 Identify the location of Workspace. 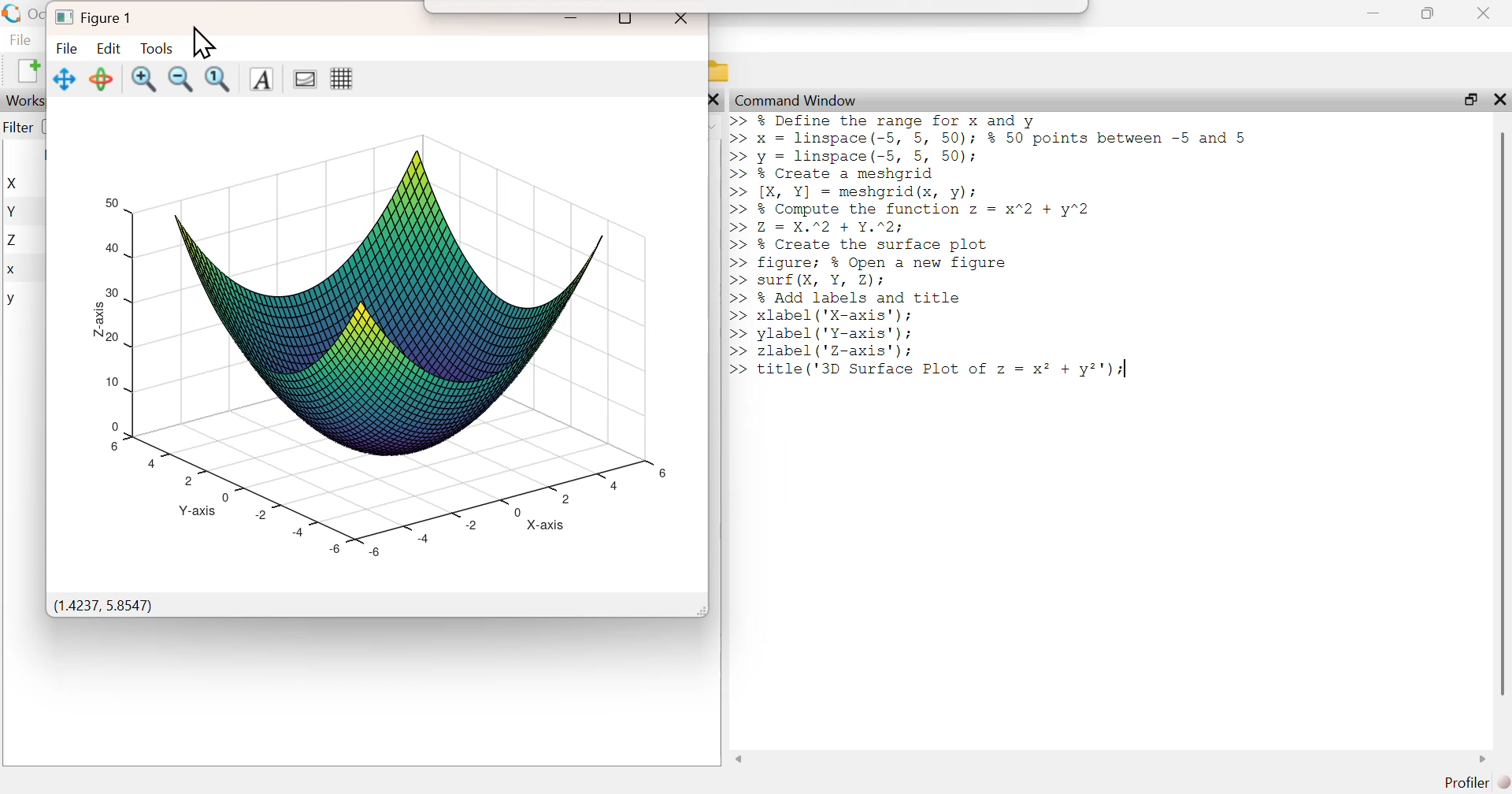
(25, 101).